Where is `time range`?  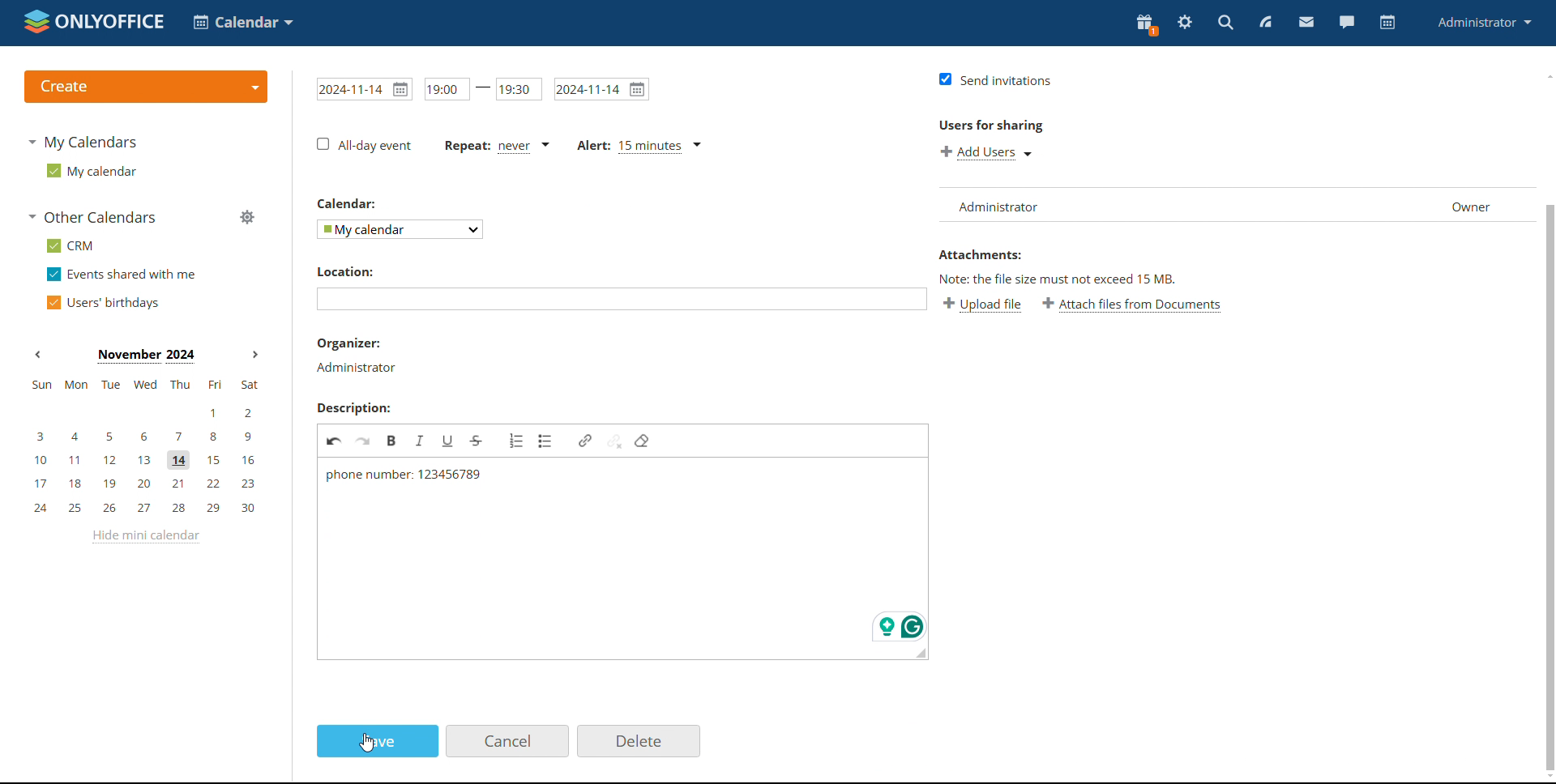 time range is located at coordinates (483, 90).